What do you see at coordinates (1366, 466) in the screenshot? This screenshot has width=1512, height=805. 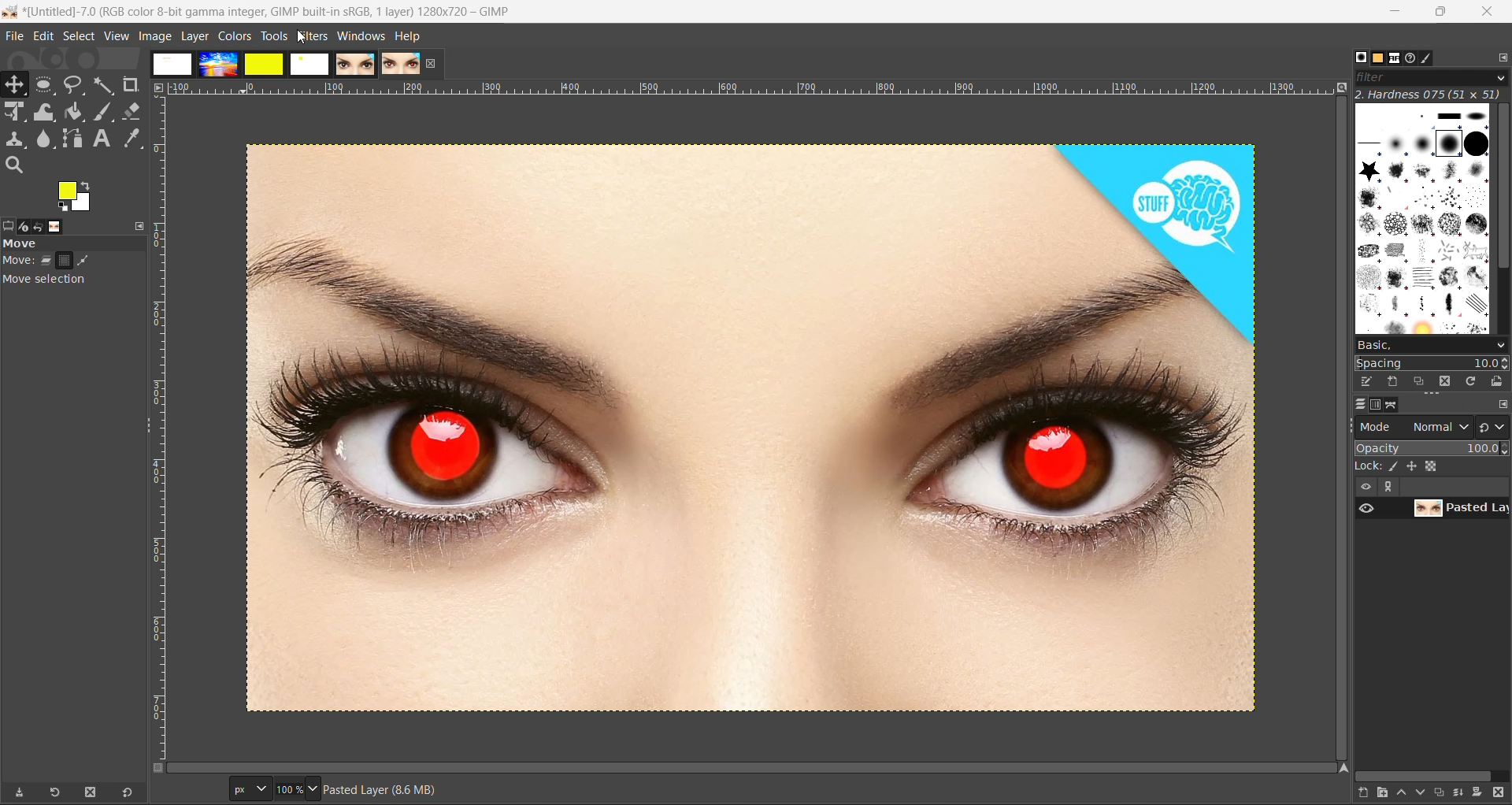 I see `lock :` at bounding box center [1366, 466].